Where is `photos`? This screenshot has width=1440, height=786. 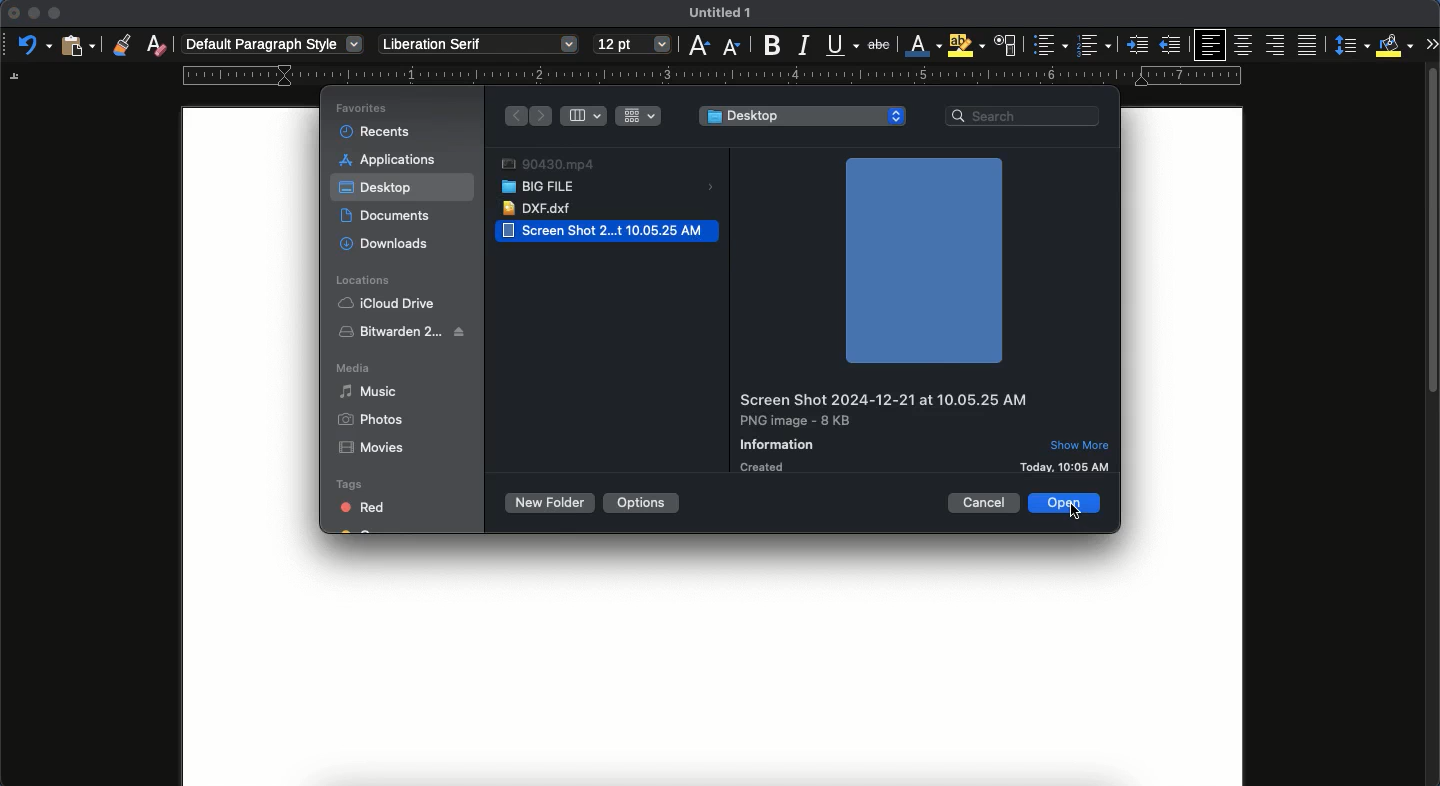 photos is located at coordinates (370, 420).